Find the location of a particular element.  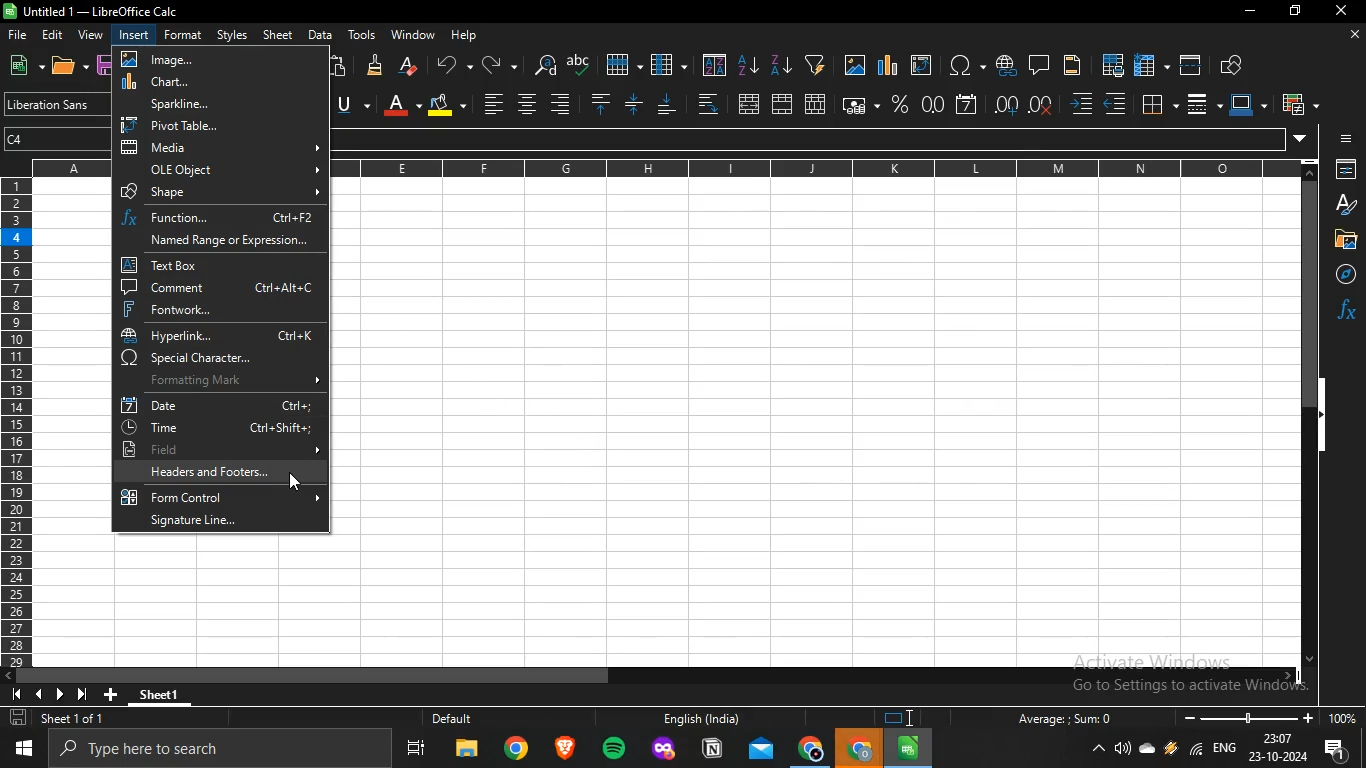

merge cells is located at coordinates (783, 105).